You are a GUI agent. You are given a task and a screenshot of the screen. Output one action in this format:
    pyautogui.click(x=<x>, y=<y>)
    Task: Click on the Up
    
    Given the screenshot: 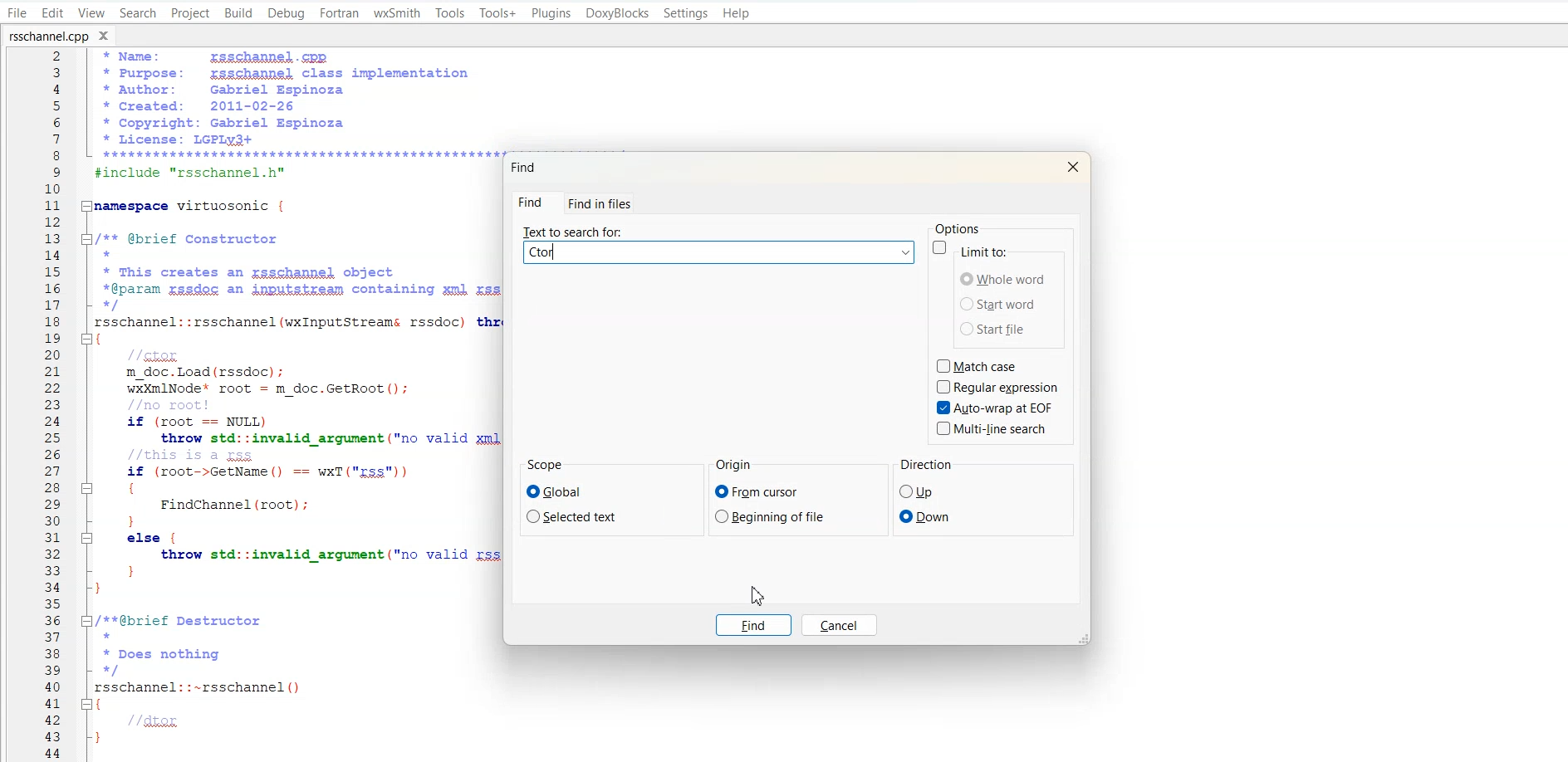 What is the action you would take?
    pyautogui.click(x=917, y=491)
    